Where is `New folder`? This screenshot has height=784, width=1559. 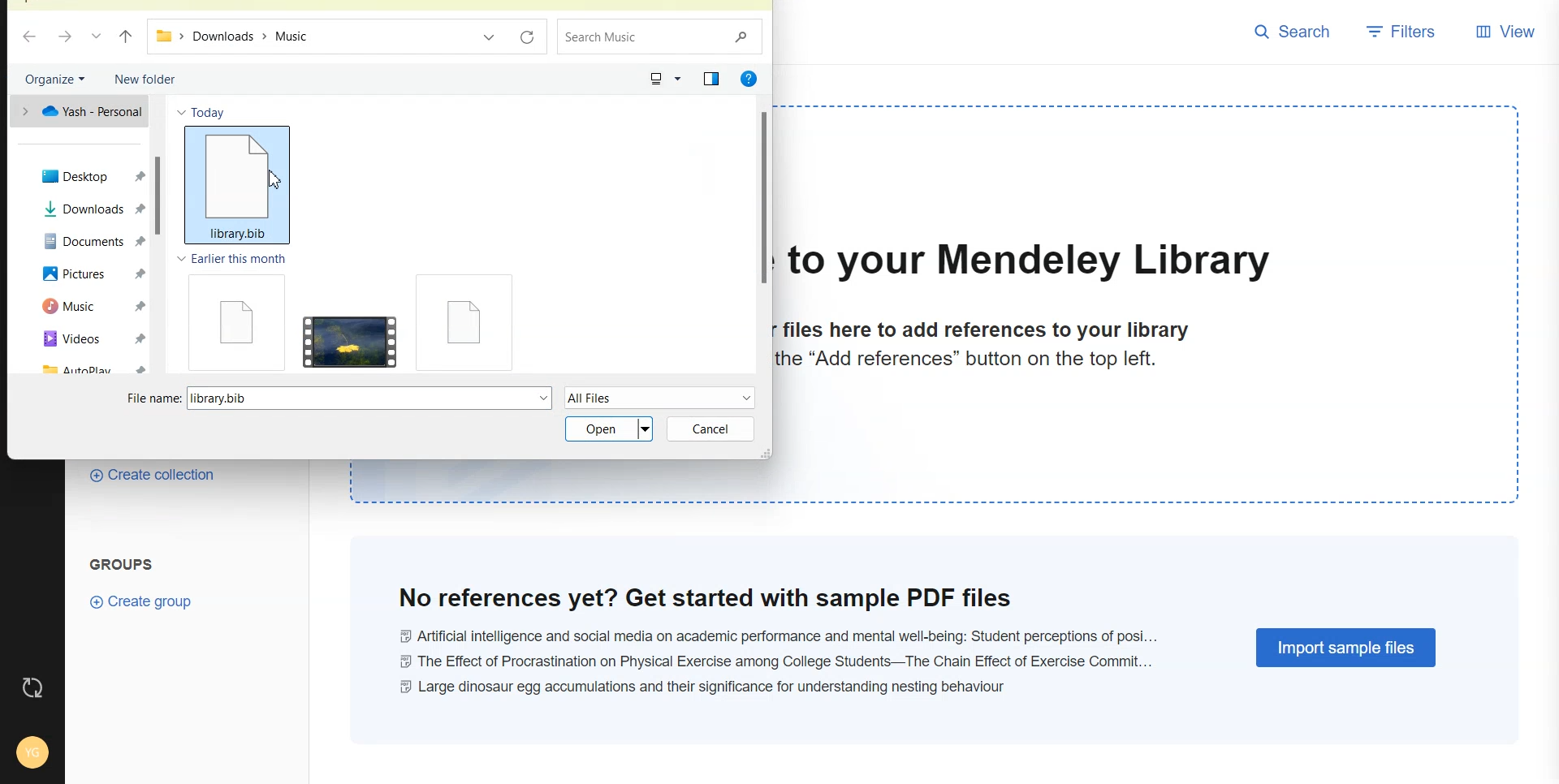
New folder is located at coordinates (146, 80).